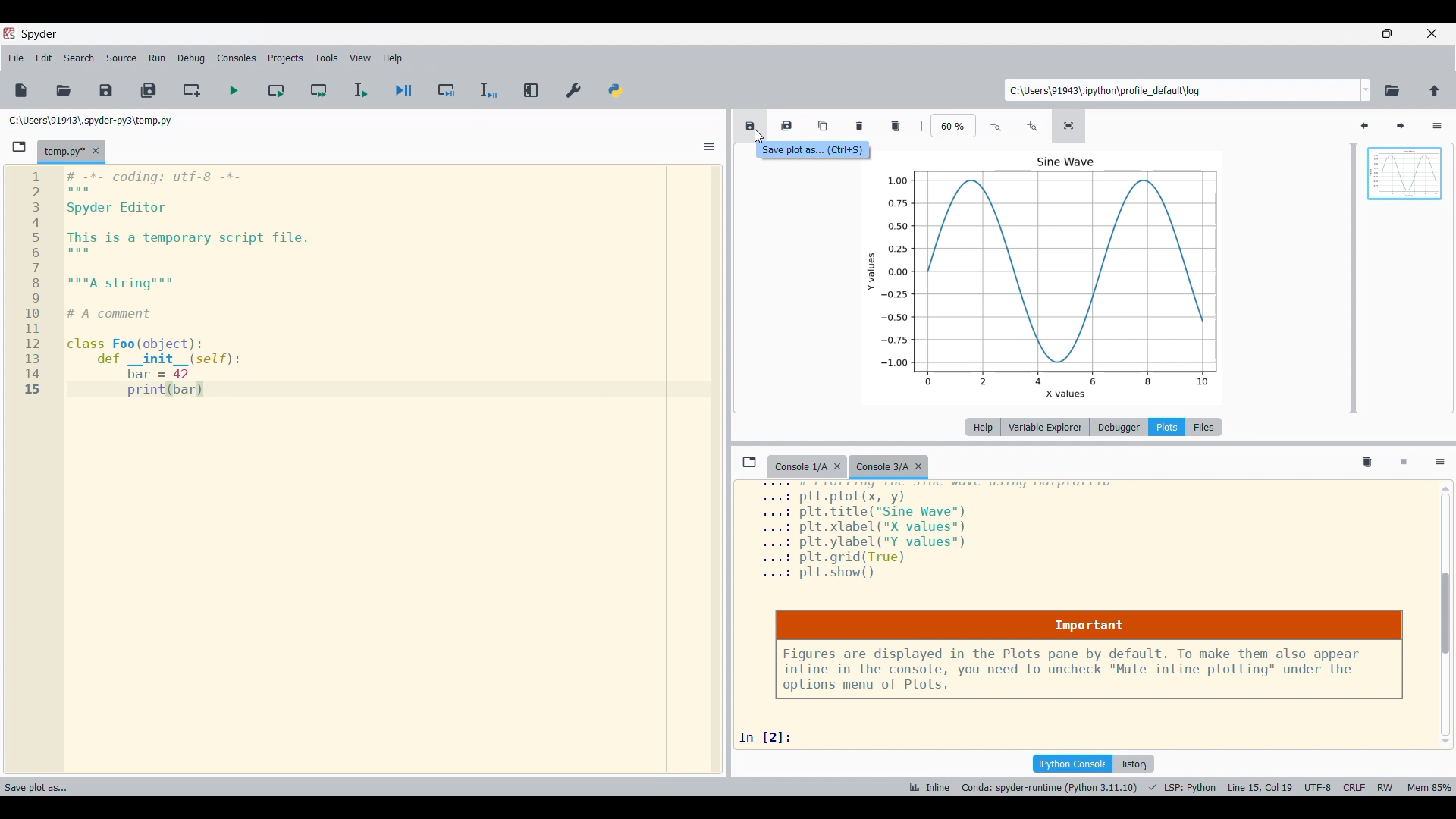 The width and height of the screenshot is (1456, 819). I want to click on Run file, so click(234, 90).